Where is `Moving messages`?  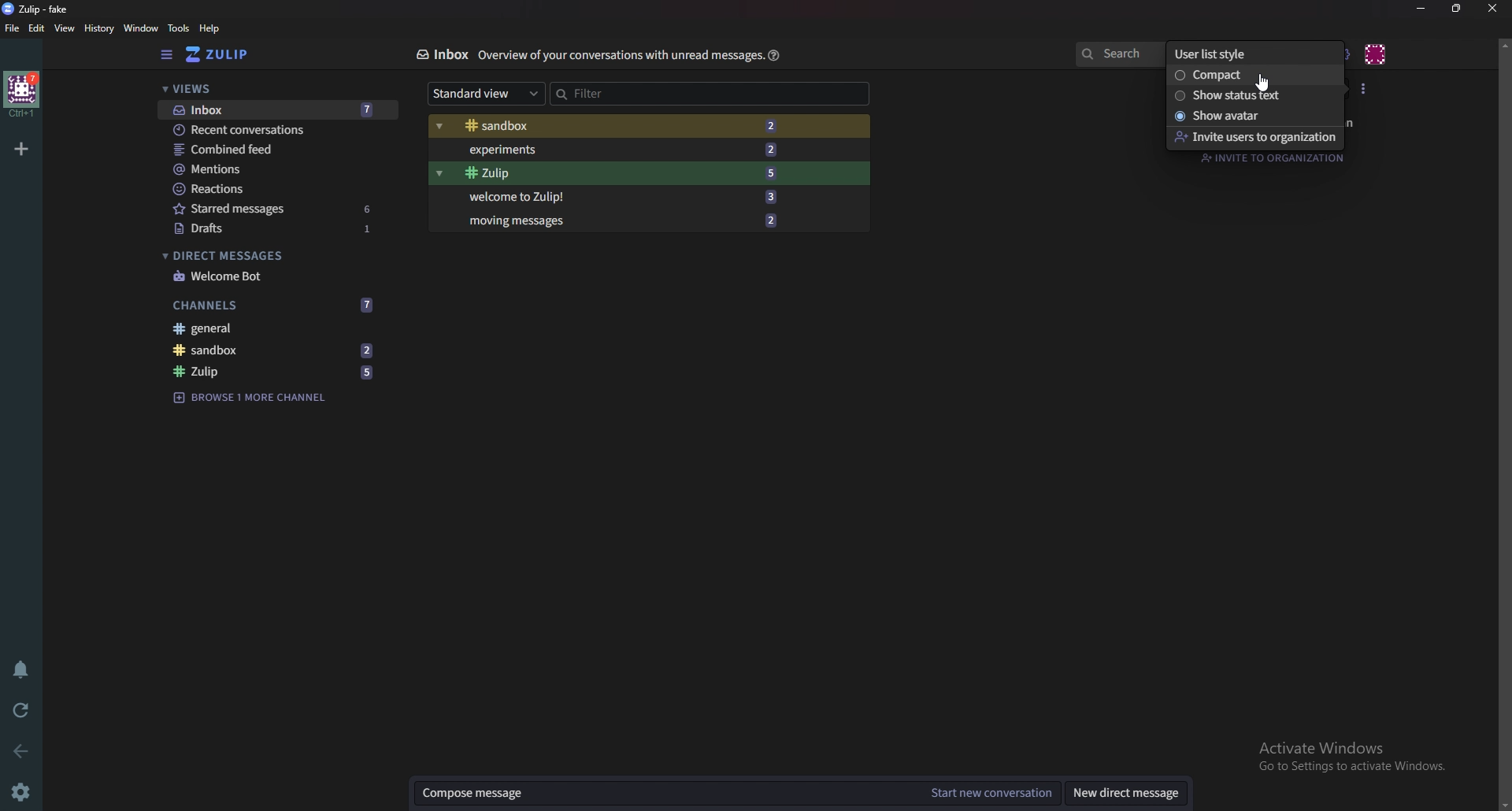
Moving messages is located at coordinates (636, 220).